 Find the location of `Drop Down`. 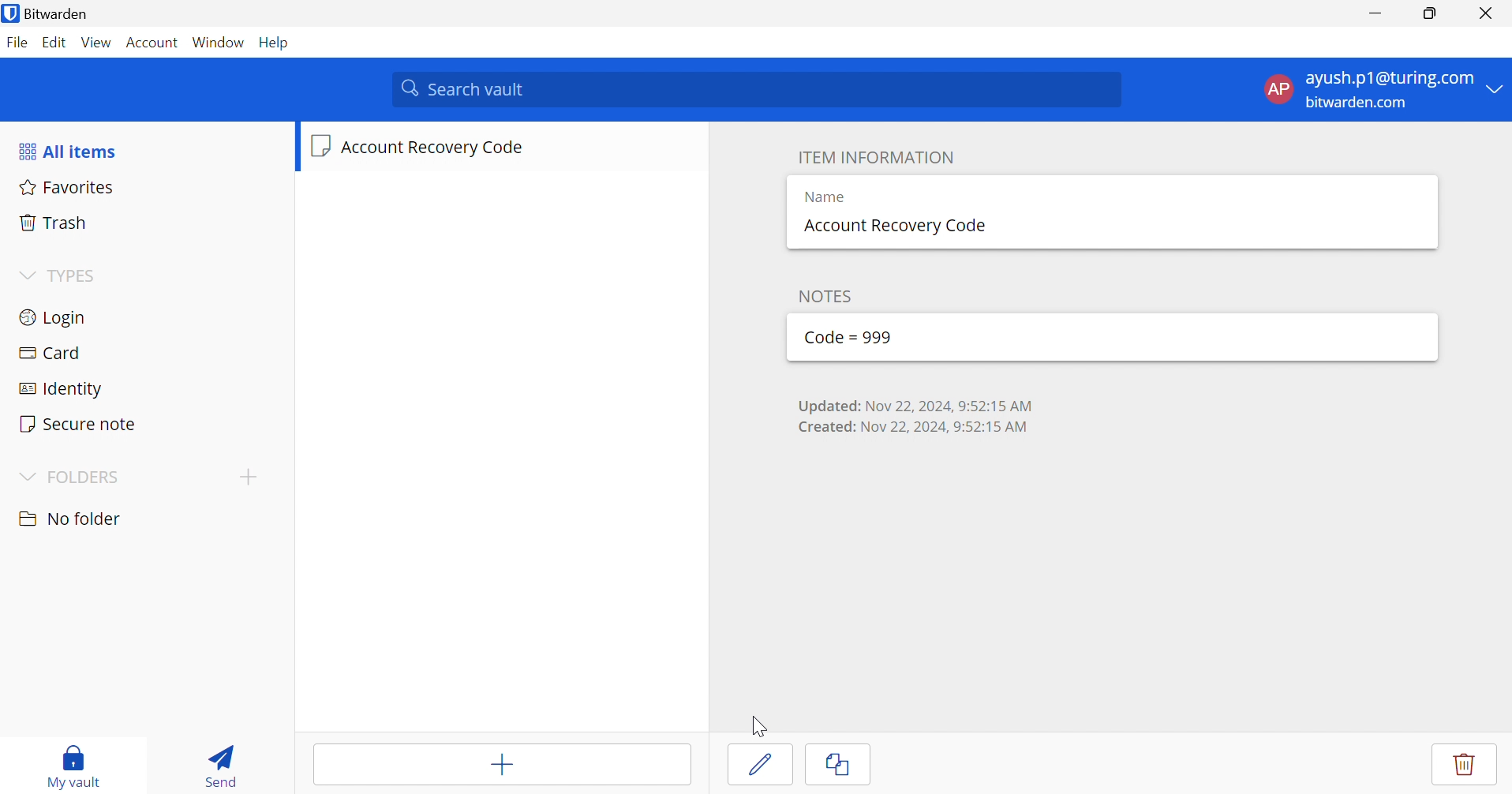

Drop Down is located at coordinates (25, 475).